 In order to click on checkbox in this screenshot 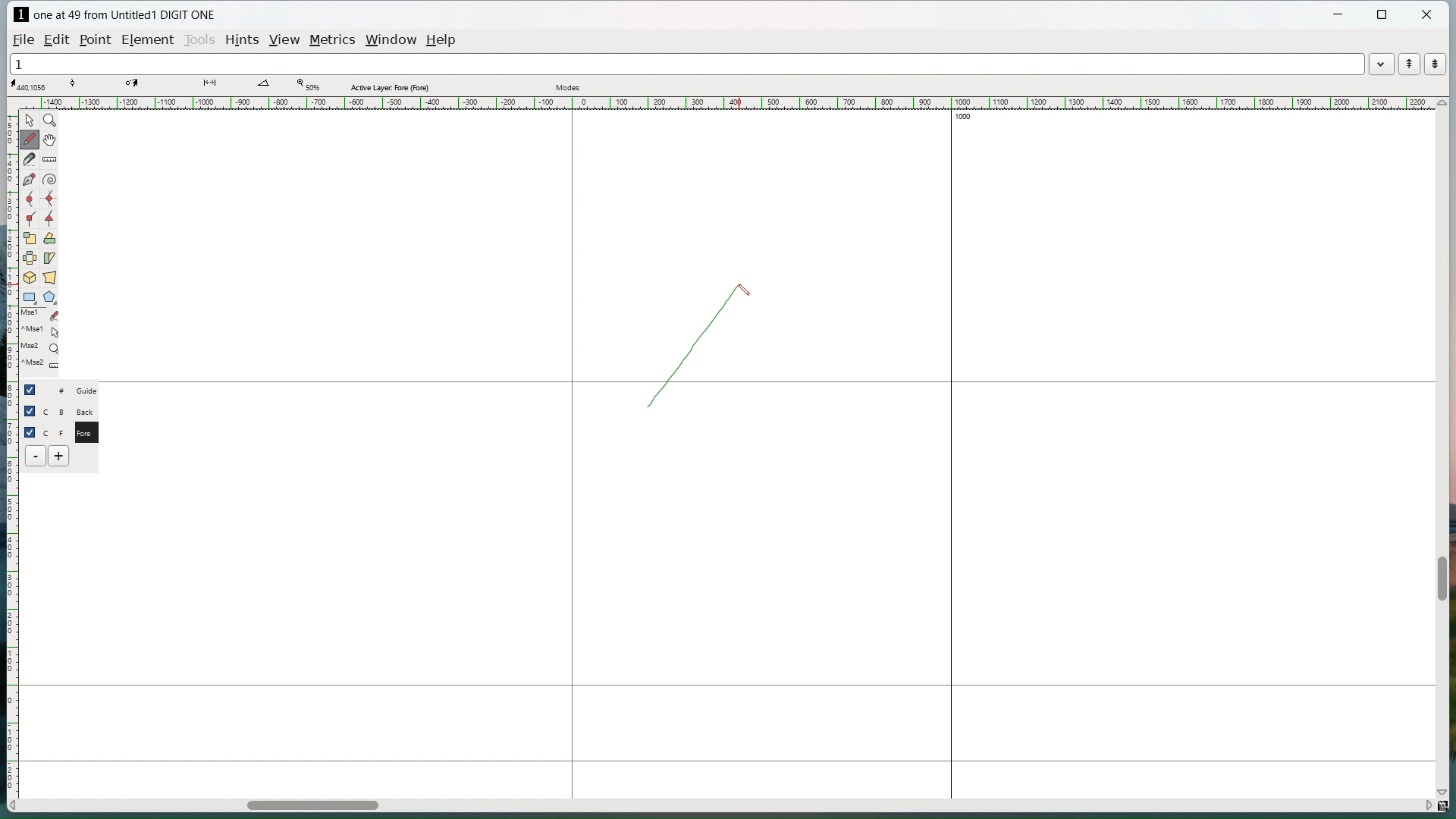, I will do `click(30, 411)`.